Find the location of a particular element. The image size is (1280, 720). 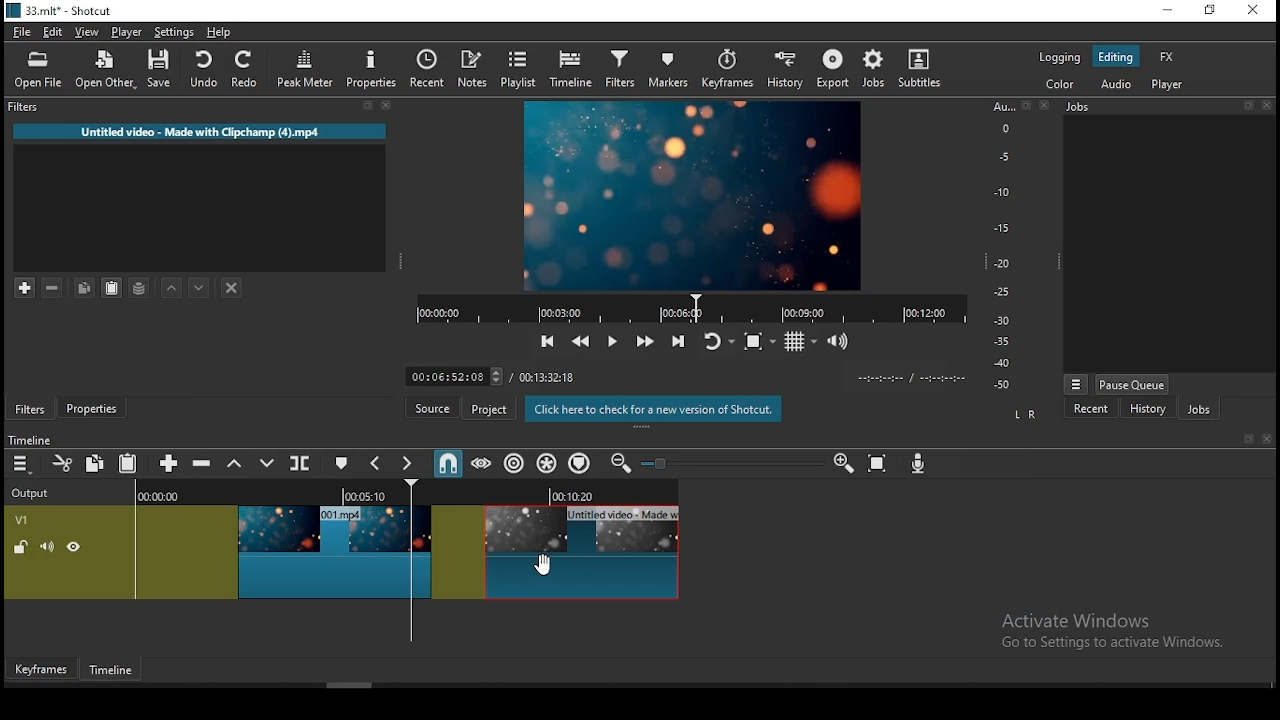

ripple is located at coordinates (515, 464).